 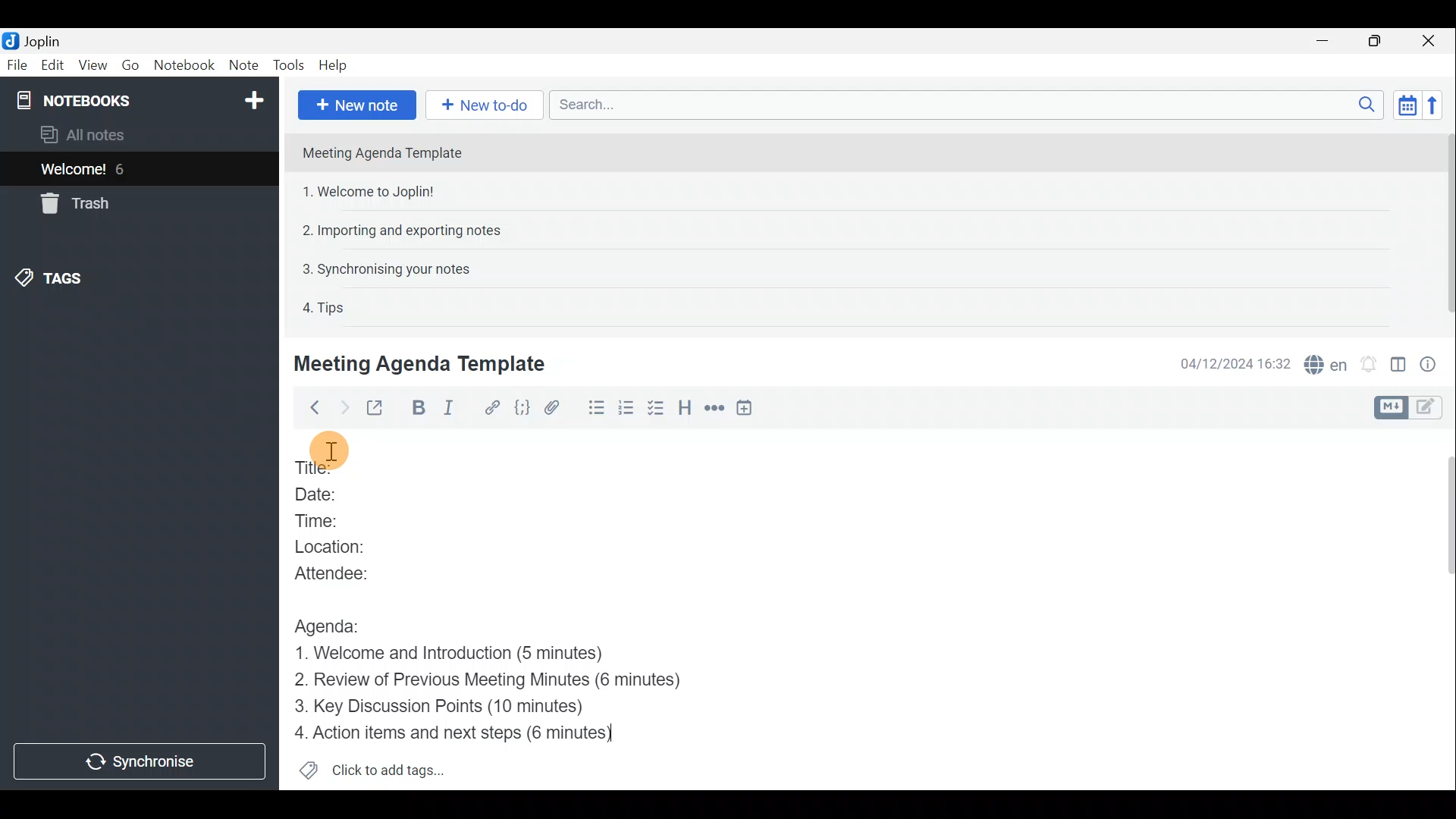 I want to click on 1. Welcome and Introduction (5 minutes), so click(x=475, y=654).